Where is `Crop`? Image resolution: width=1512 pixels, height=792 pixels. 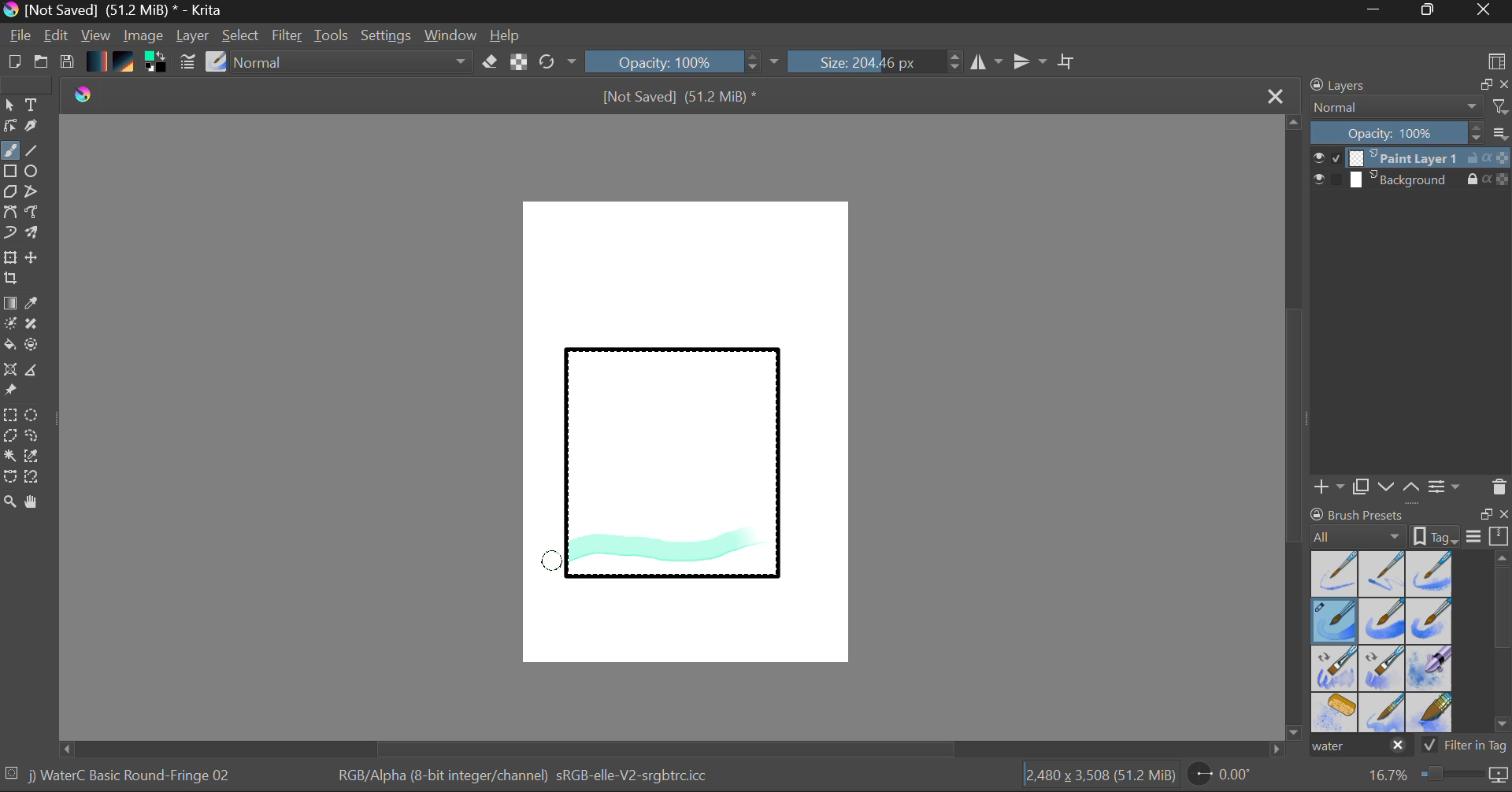
Crop is located at coordinates (1069, 61).